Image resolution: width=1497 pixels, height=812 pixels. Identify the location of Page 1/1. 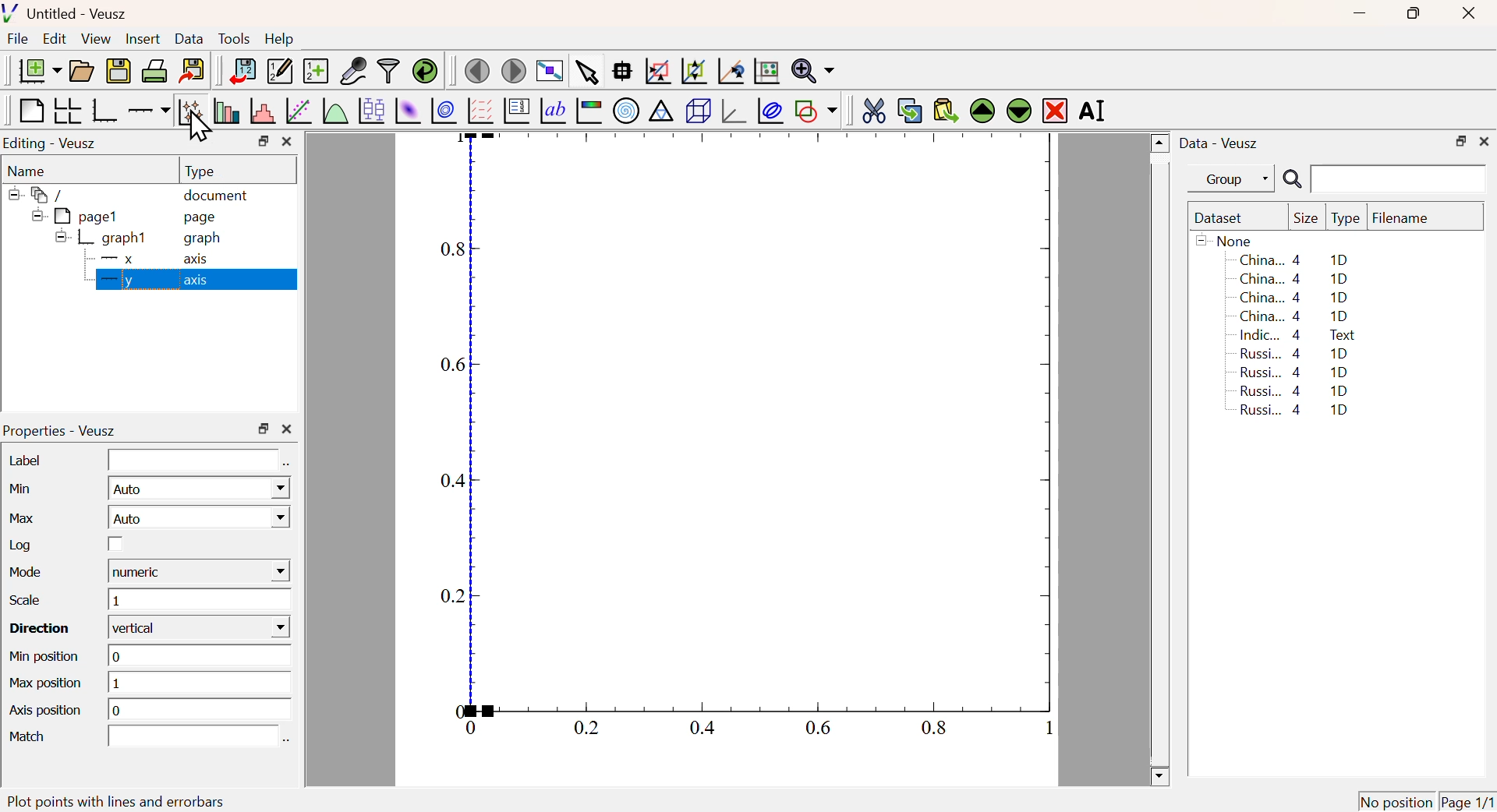
(1466, 801).